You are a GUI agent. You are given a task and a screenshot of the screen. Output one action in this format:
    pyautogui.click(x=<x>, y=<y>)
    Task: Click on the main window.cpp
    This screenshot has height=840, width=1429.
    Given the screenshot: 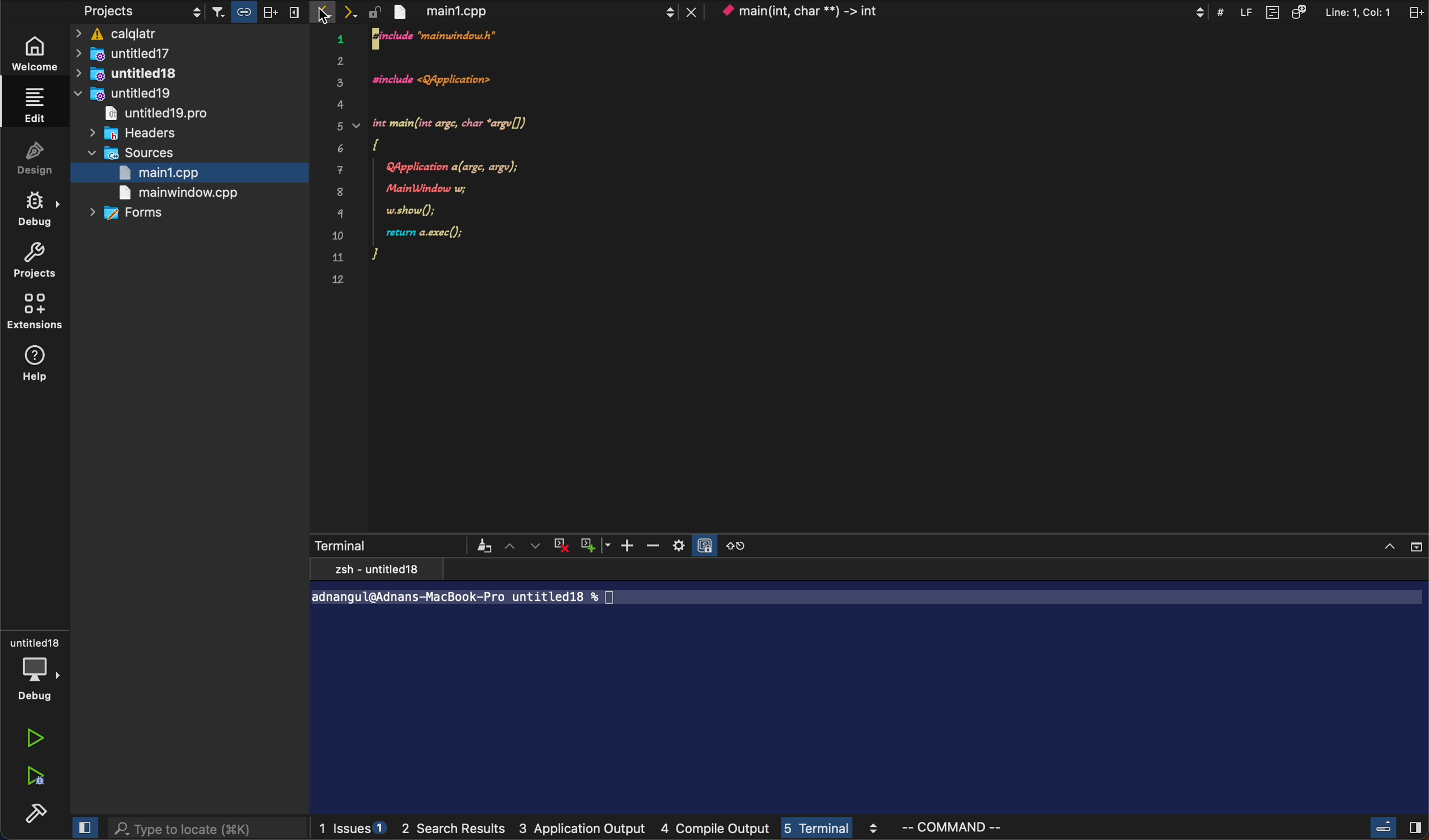 What is the action you would take?
    pyautogui.click(x=177, y=194)
    